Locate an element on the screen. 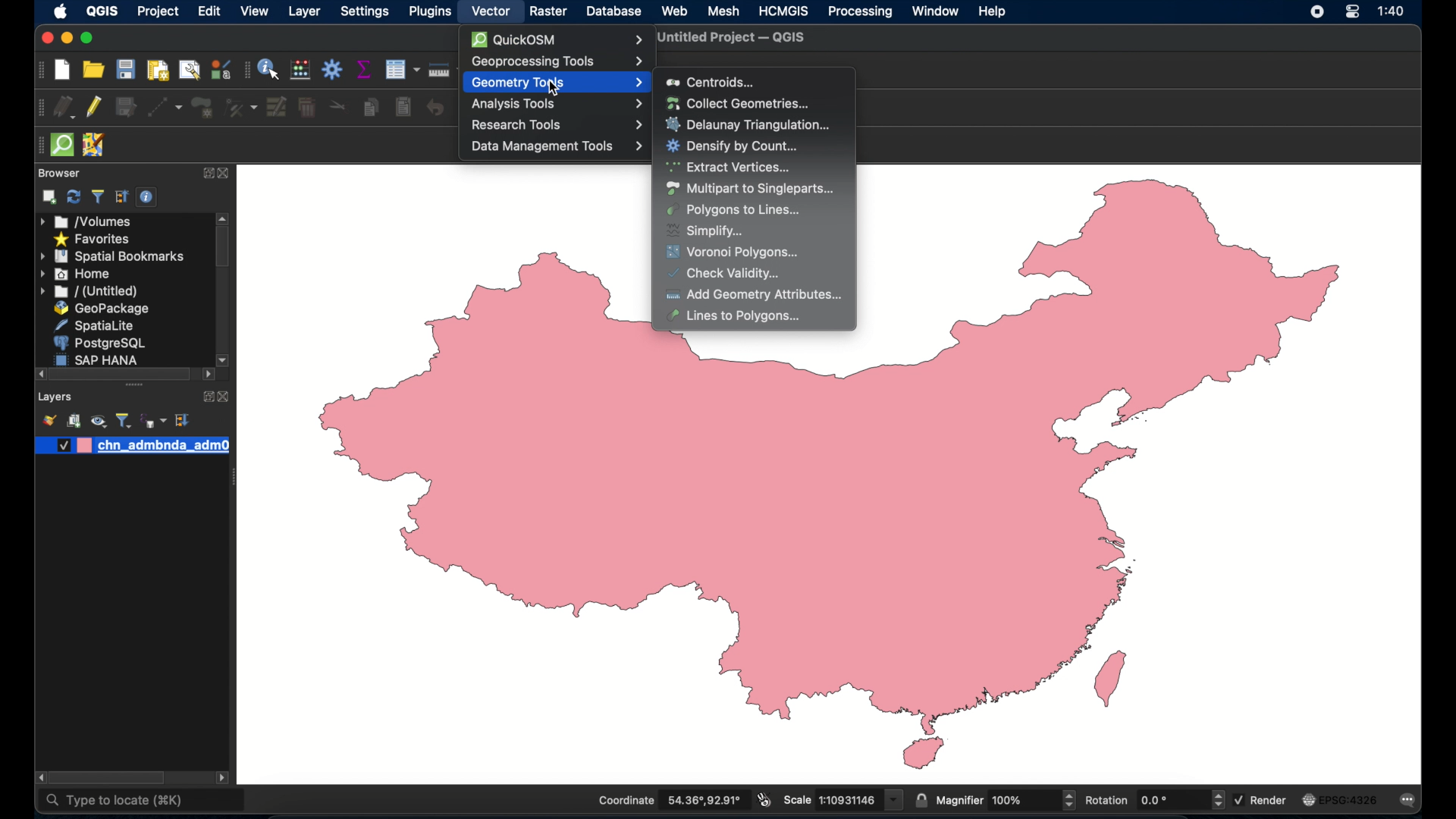 This screenshot has width=1456, height=819. minimize is located at coordinates (68, 39).